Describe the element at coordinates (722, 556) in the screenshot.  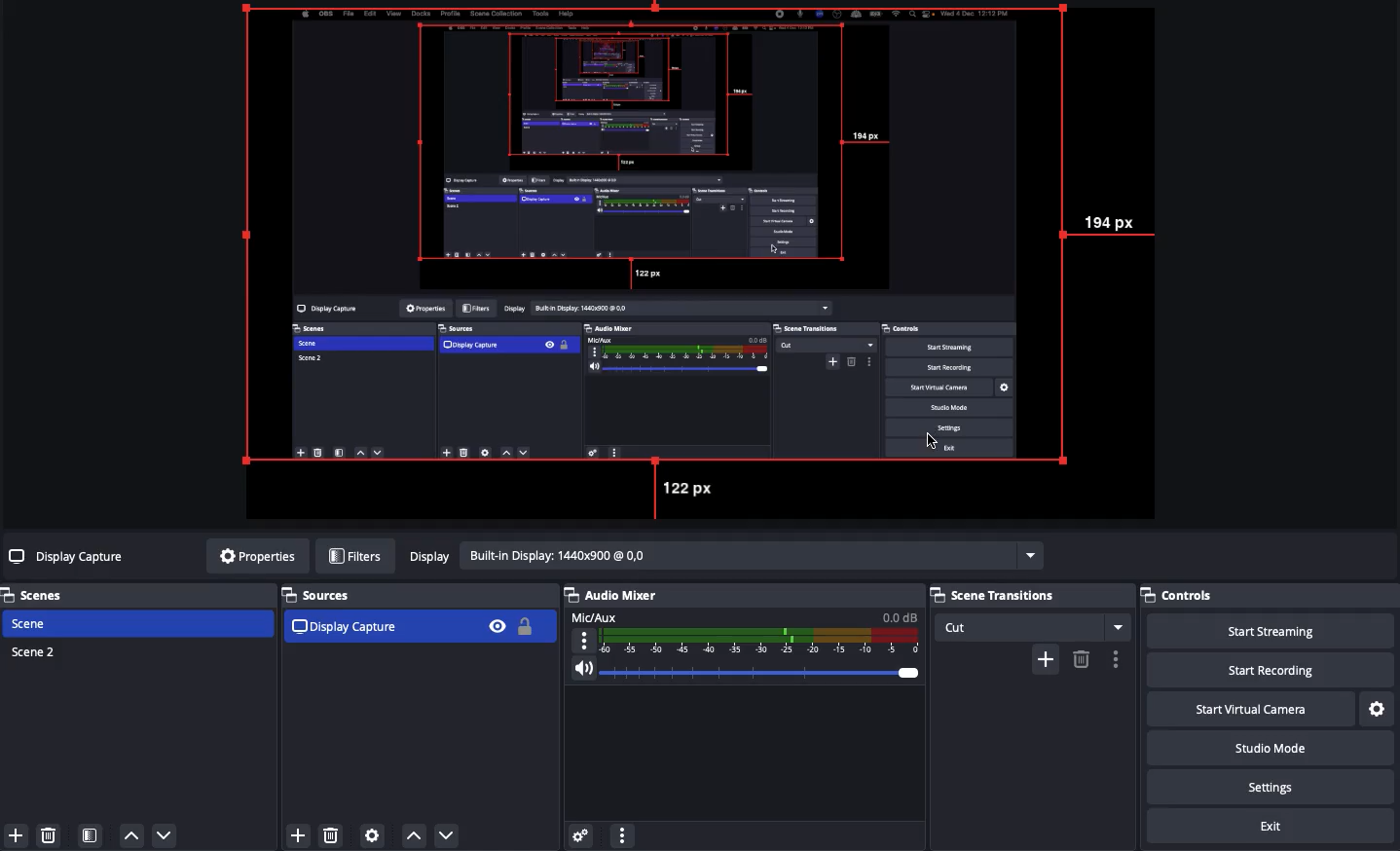
I see `Built-in Display: 1440x900 @ 0,0` at that location.